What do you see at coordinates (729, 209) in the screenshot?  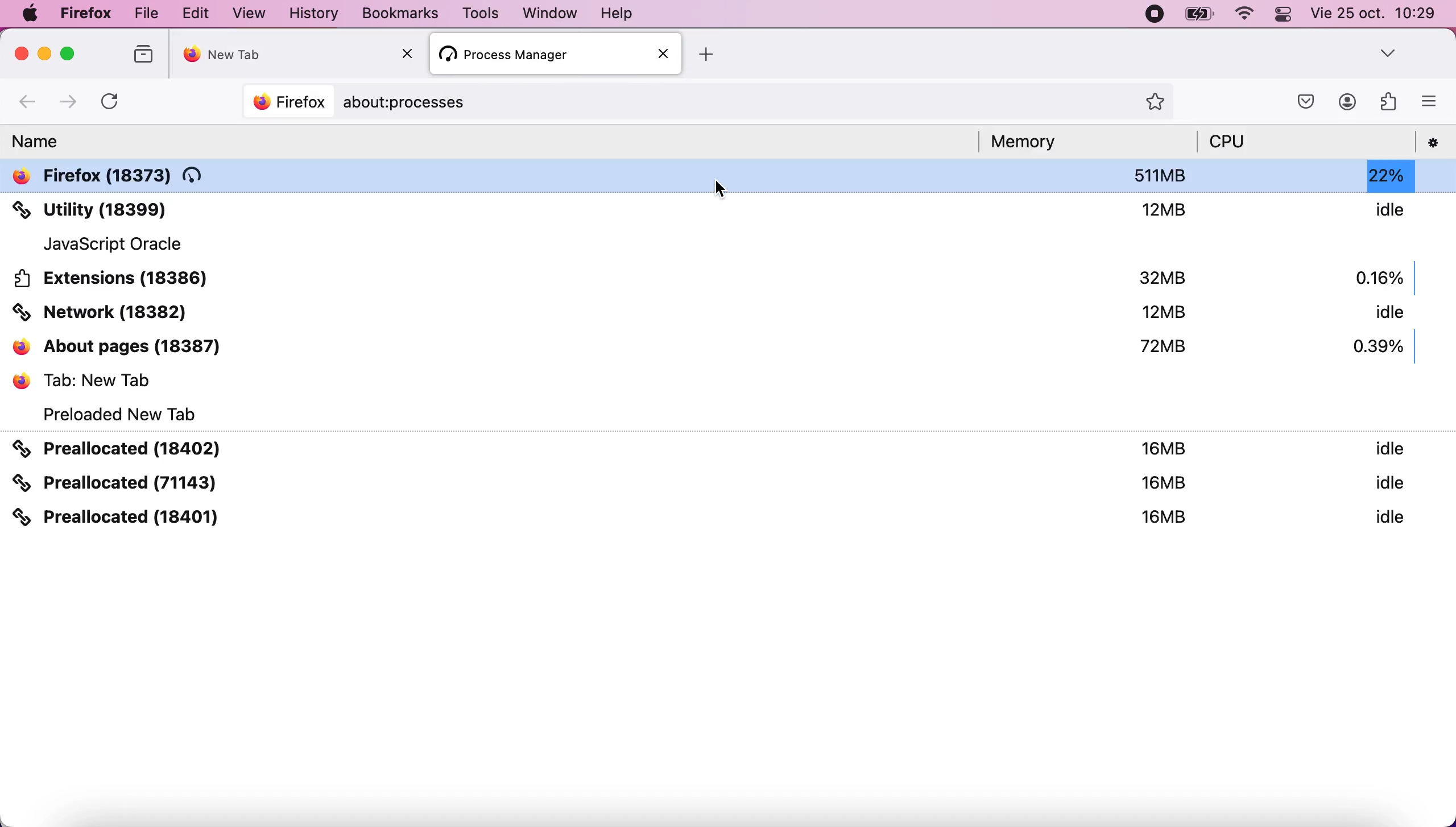 I see `Utility` at bounding box center [729, 209].